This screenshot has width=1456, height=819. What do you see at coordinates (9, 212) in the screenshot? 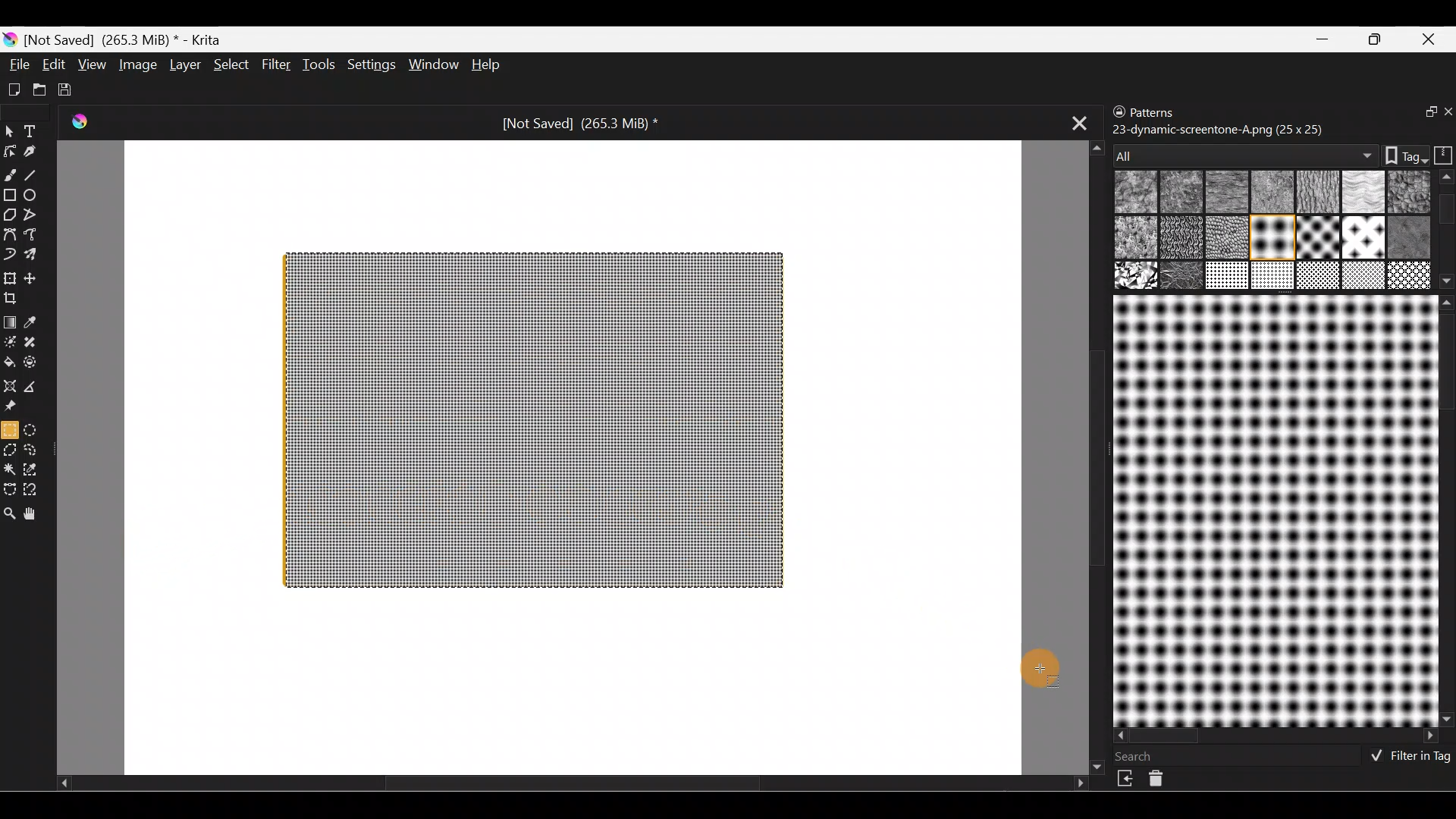
I see `Polygon tool` at bounding box center [9, 212].